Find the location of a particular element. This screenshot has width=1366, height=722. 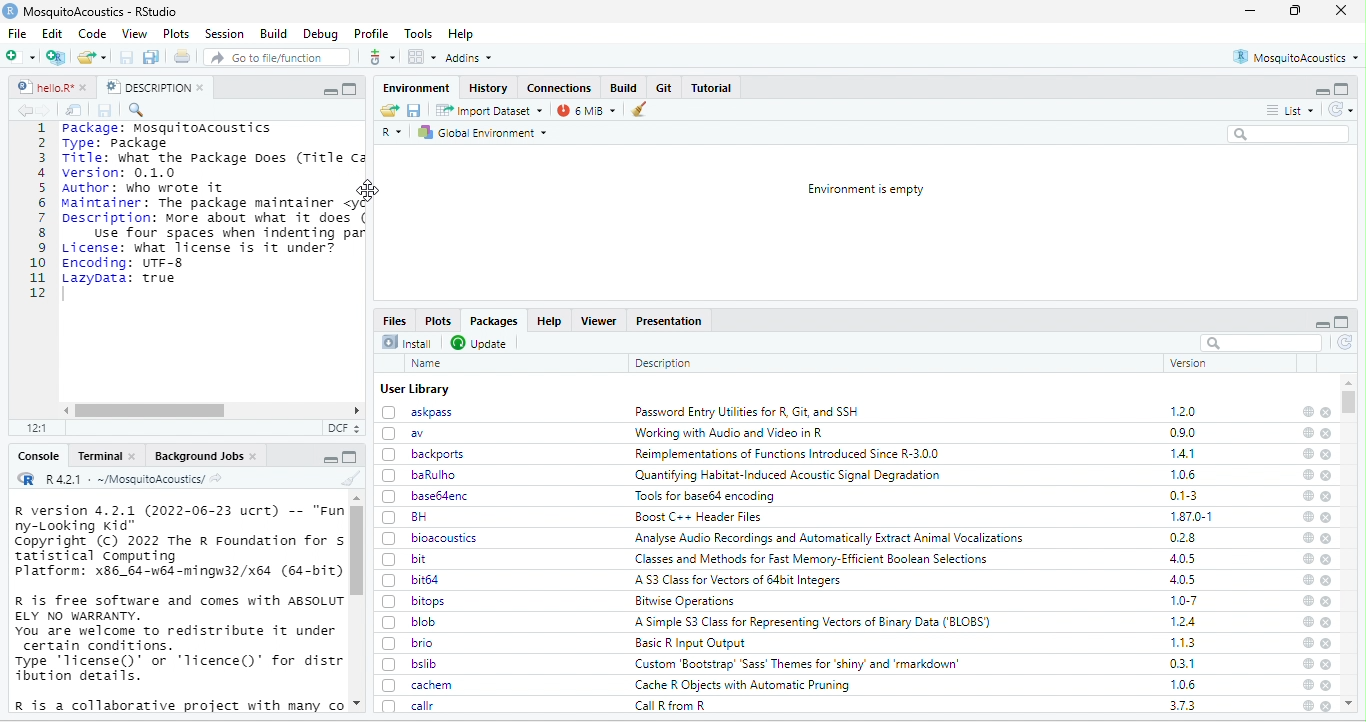

1.87.0-1 is located at coordinates (1194, 516).